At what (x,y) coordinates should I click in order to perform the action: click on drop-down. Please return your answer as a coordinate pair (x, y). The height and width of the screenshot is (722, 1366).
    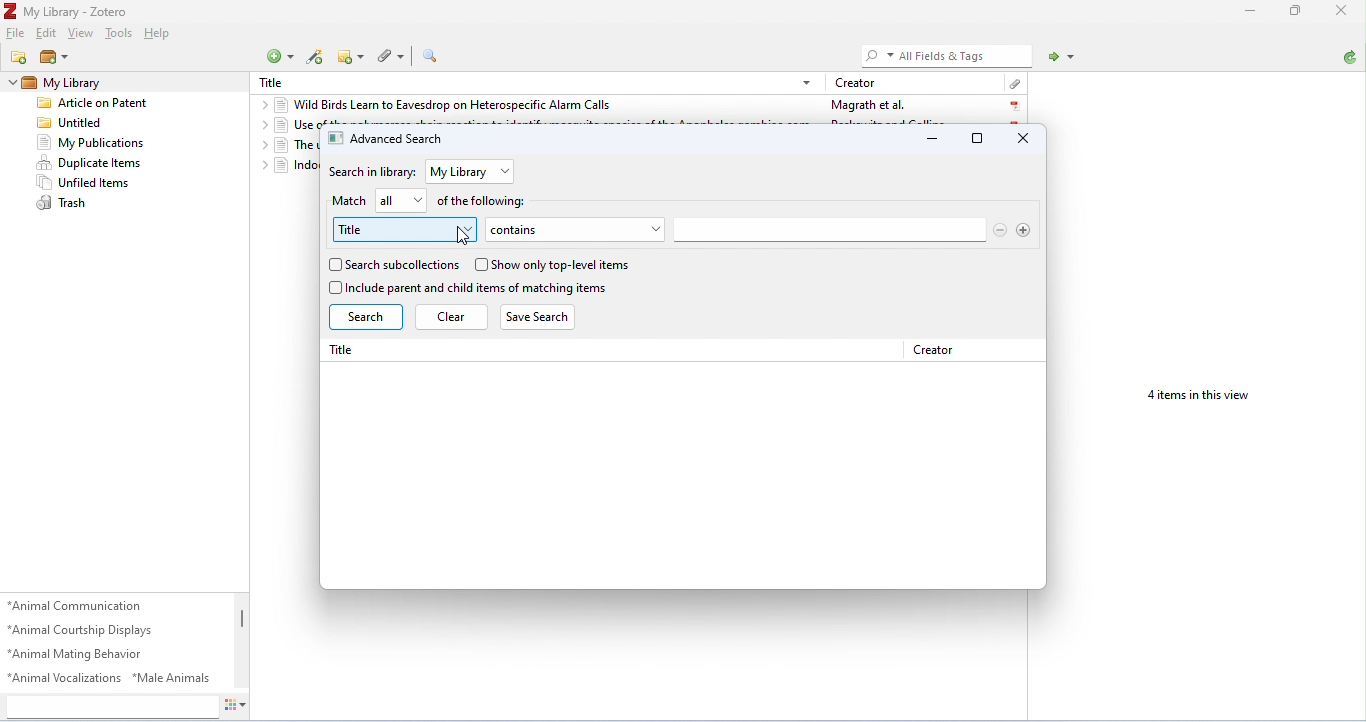
    Looking at the image, I should click on (419, 200).